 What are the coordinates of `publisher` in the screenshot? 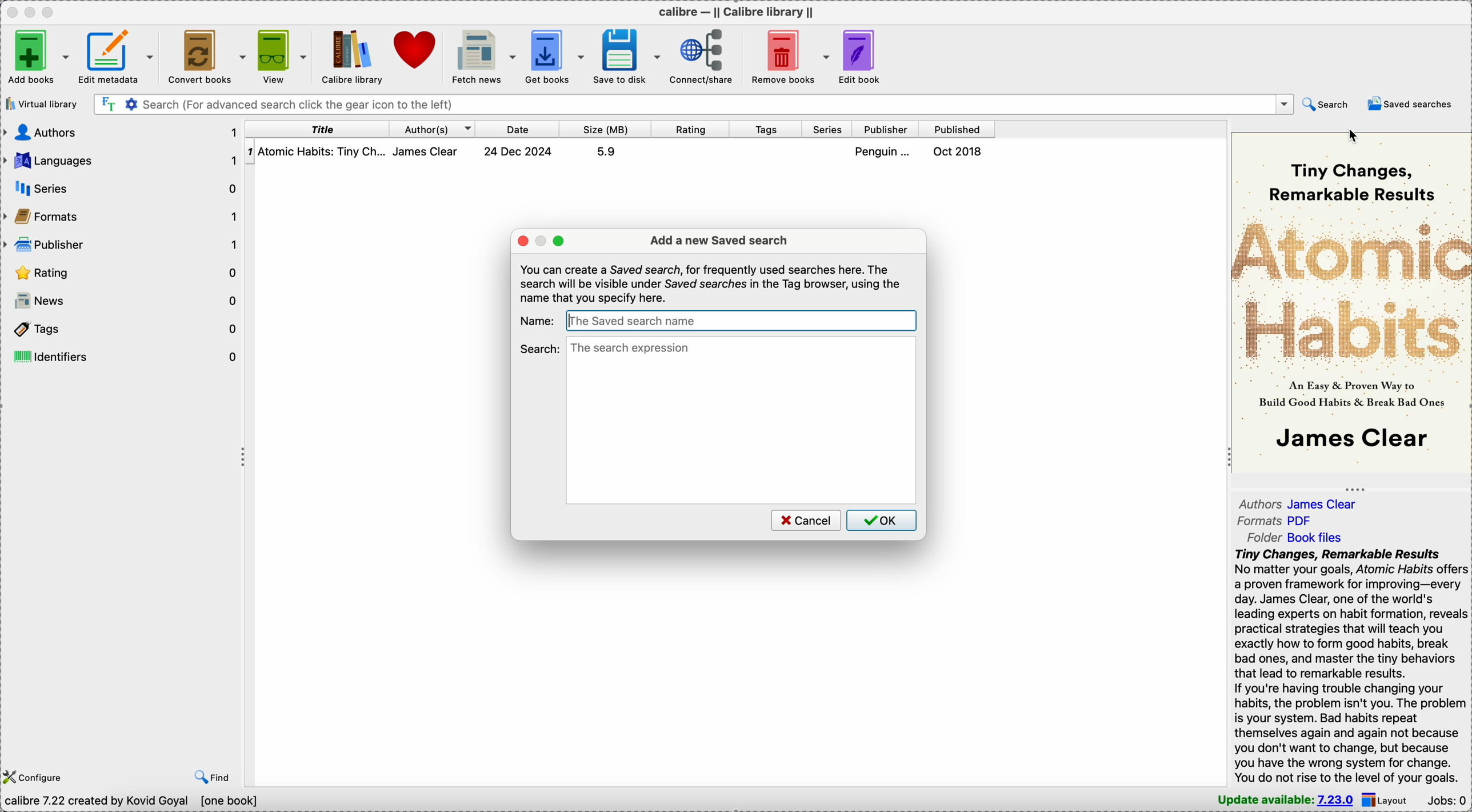 It's located at (122, 246).